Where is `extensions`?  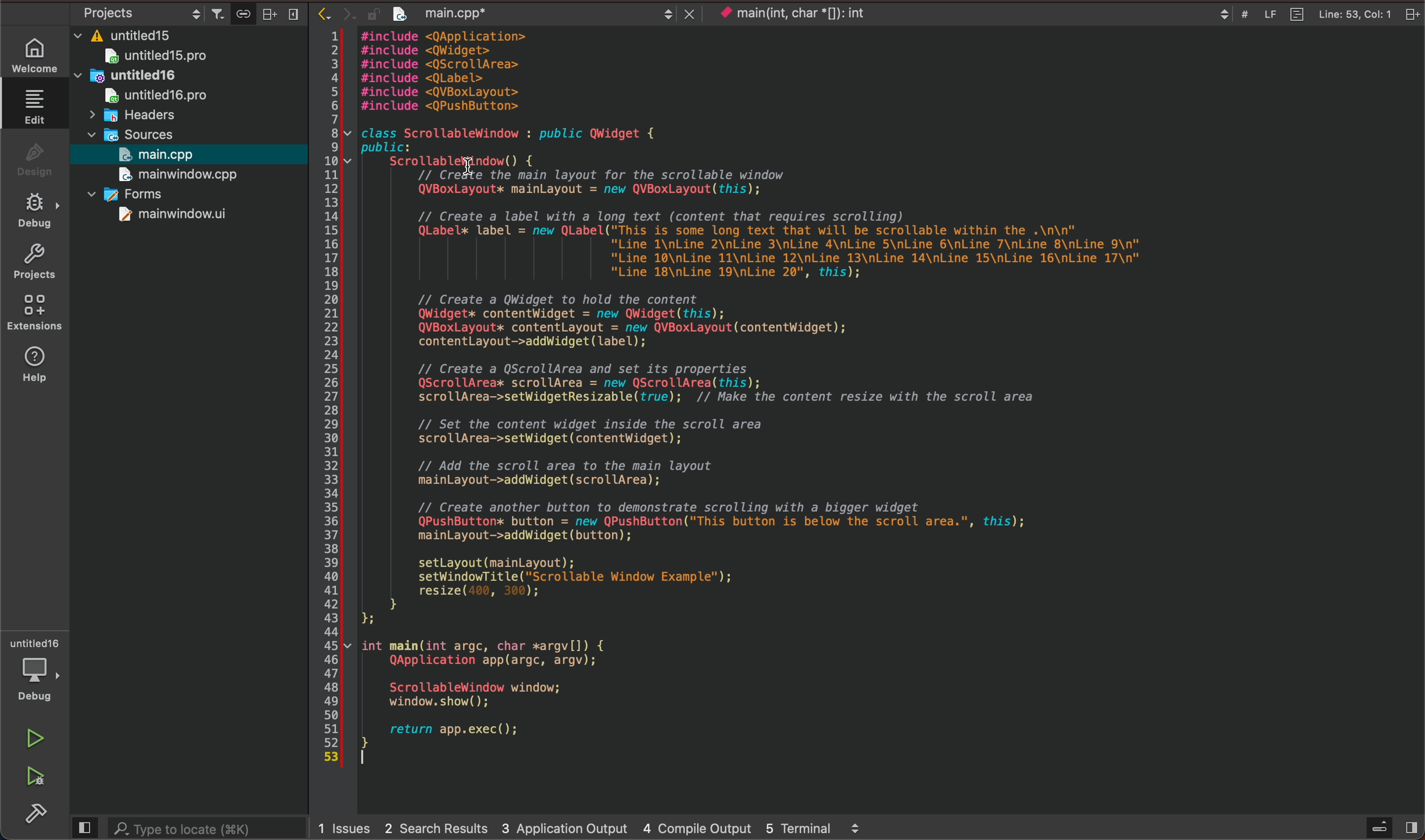 extensions is located at coordinates (35, 312).